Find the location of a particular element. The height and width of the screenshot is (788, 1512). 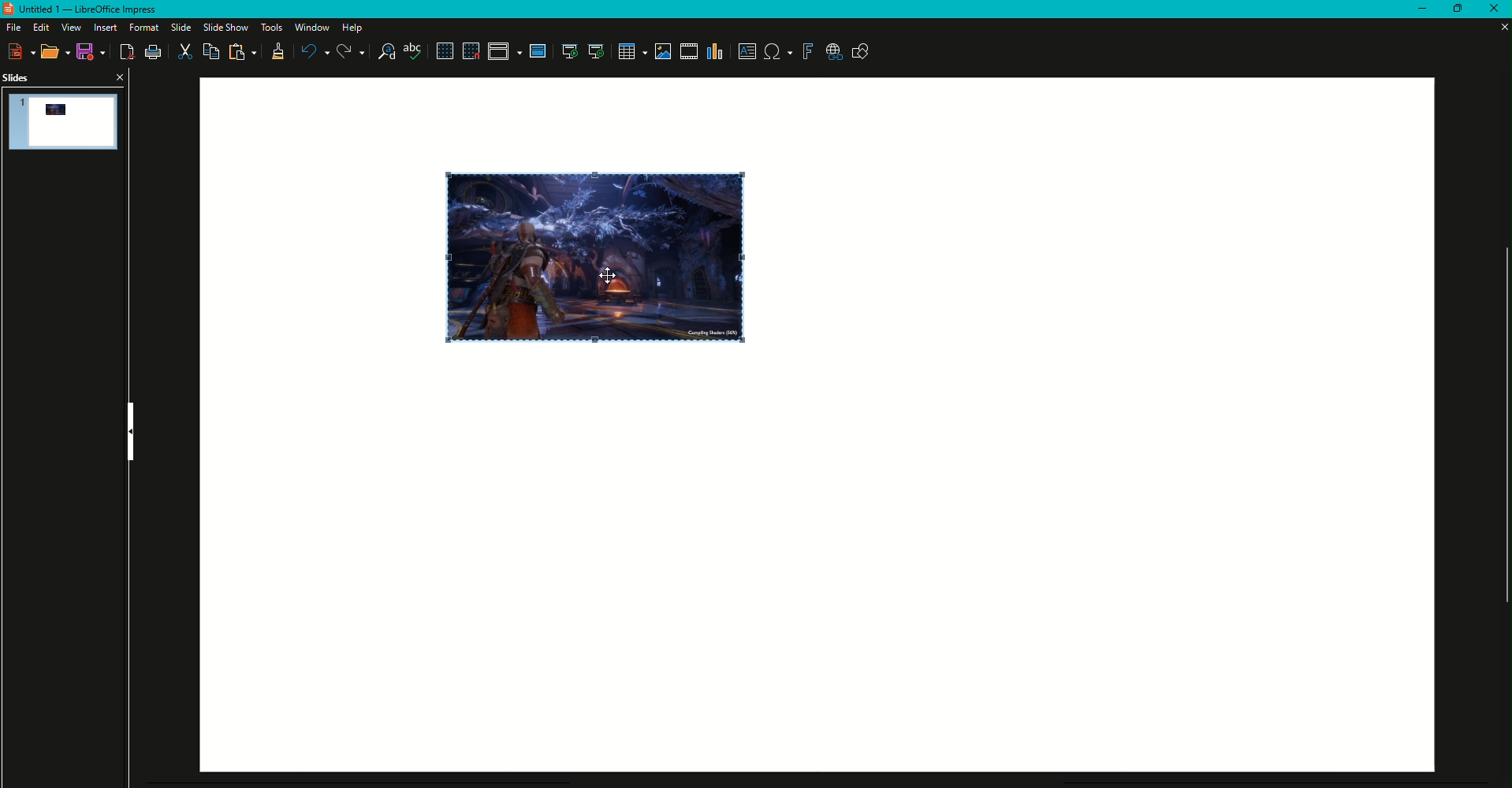

Slide Show is located at coordinates (224, 27).